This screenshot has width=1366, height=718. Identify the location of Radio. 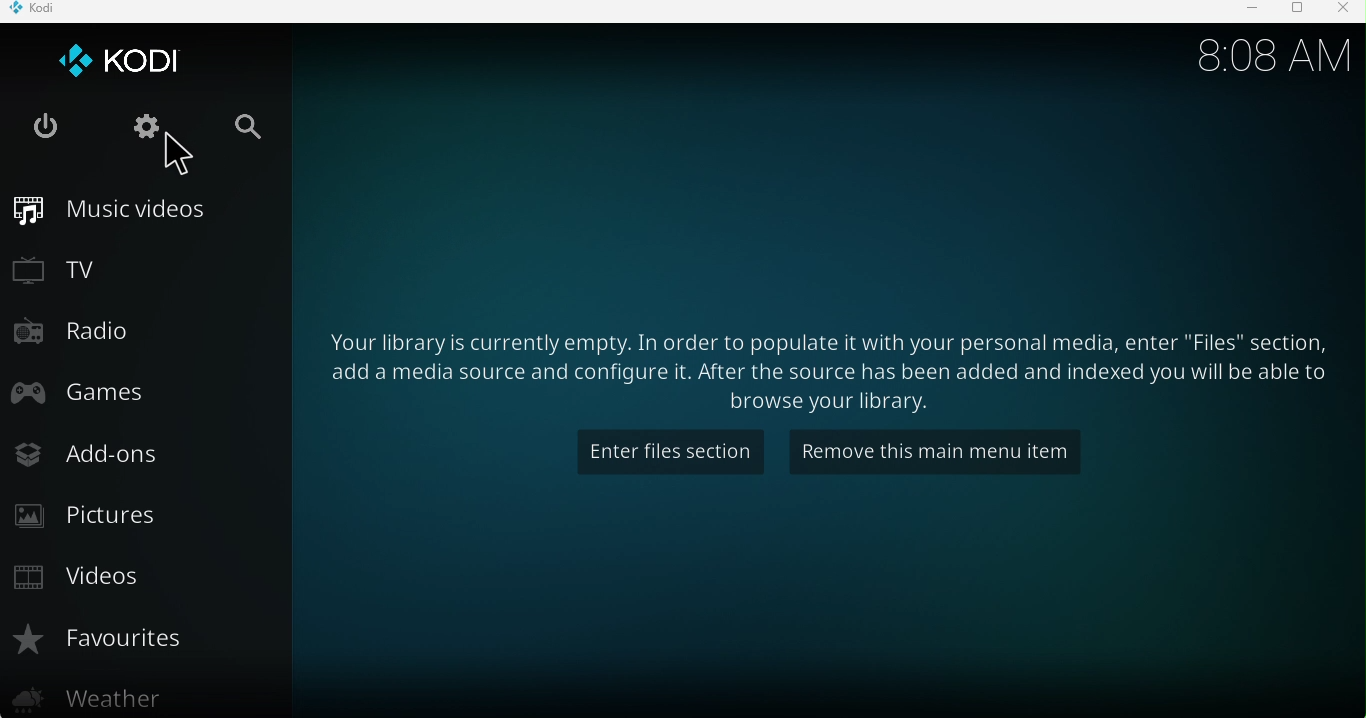
(97, 328).